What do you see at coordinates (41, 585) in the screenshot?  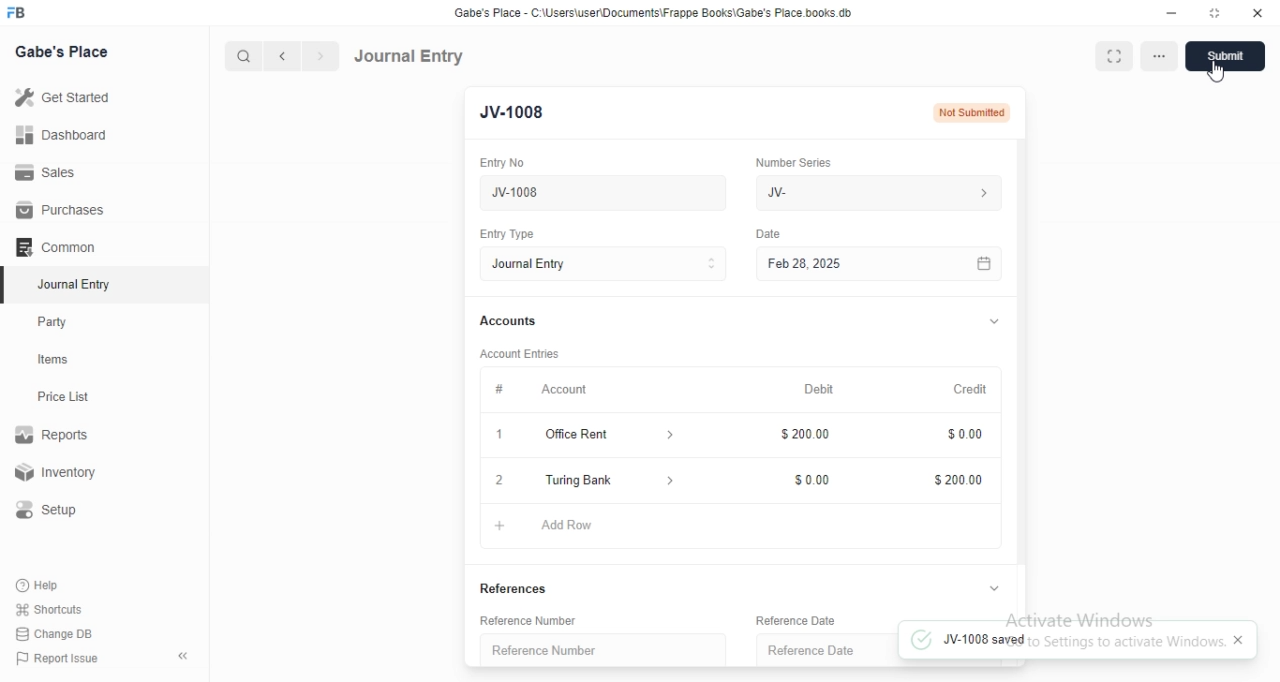 I see `Help` at bounding box center [41, 585].